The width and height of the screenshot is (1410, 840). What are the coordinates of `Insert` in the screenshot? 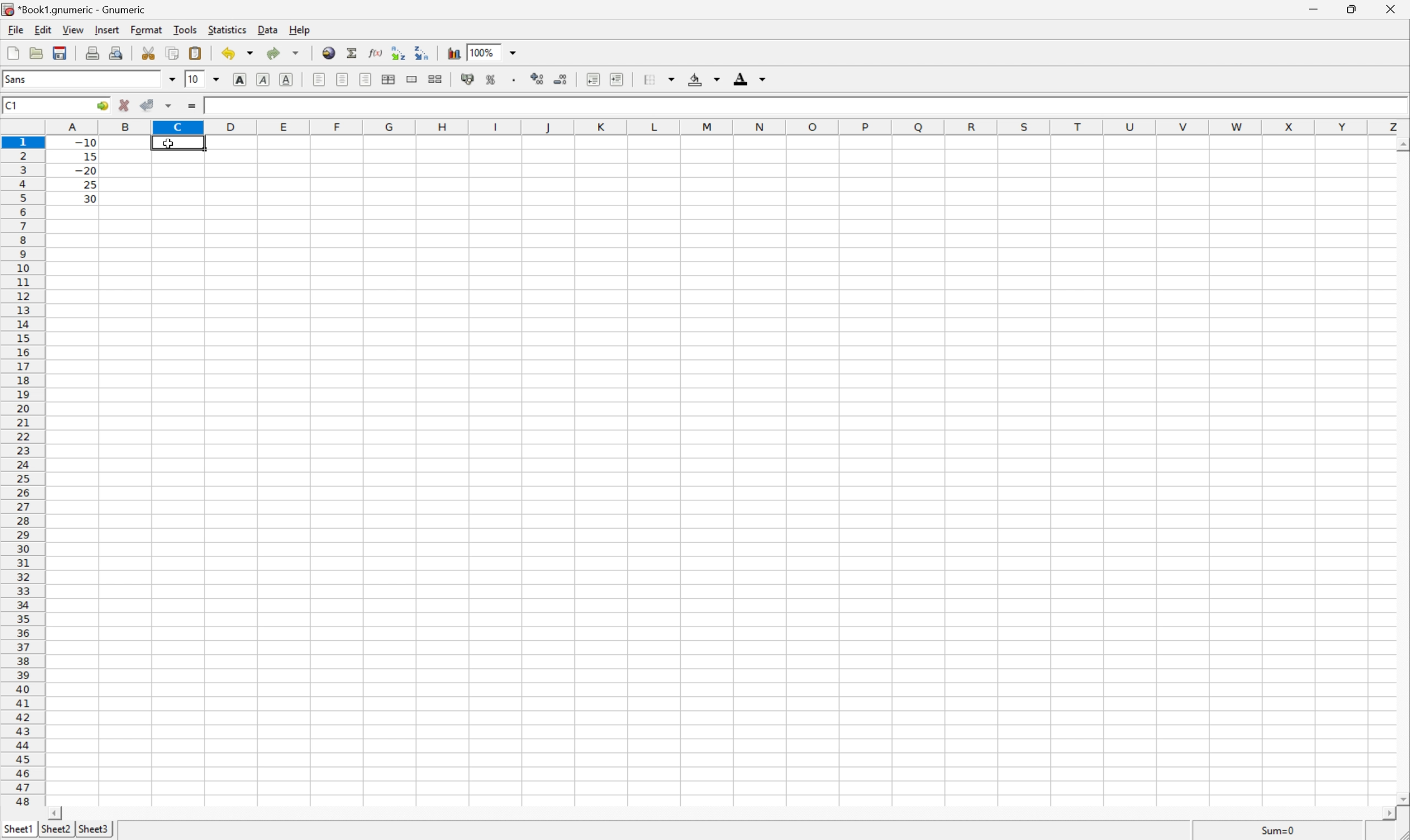 It's located at (108, 30).